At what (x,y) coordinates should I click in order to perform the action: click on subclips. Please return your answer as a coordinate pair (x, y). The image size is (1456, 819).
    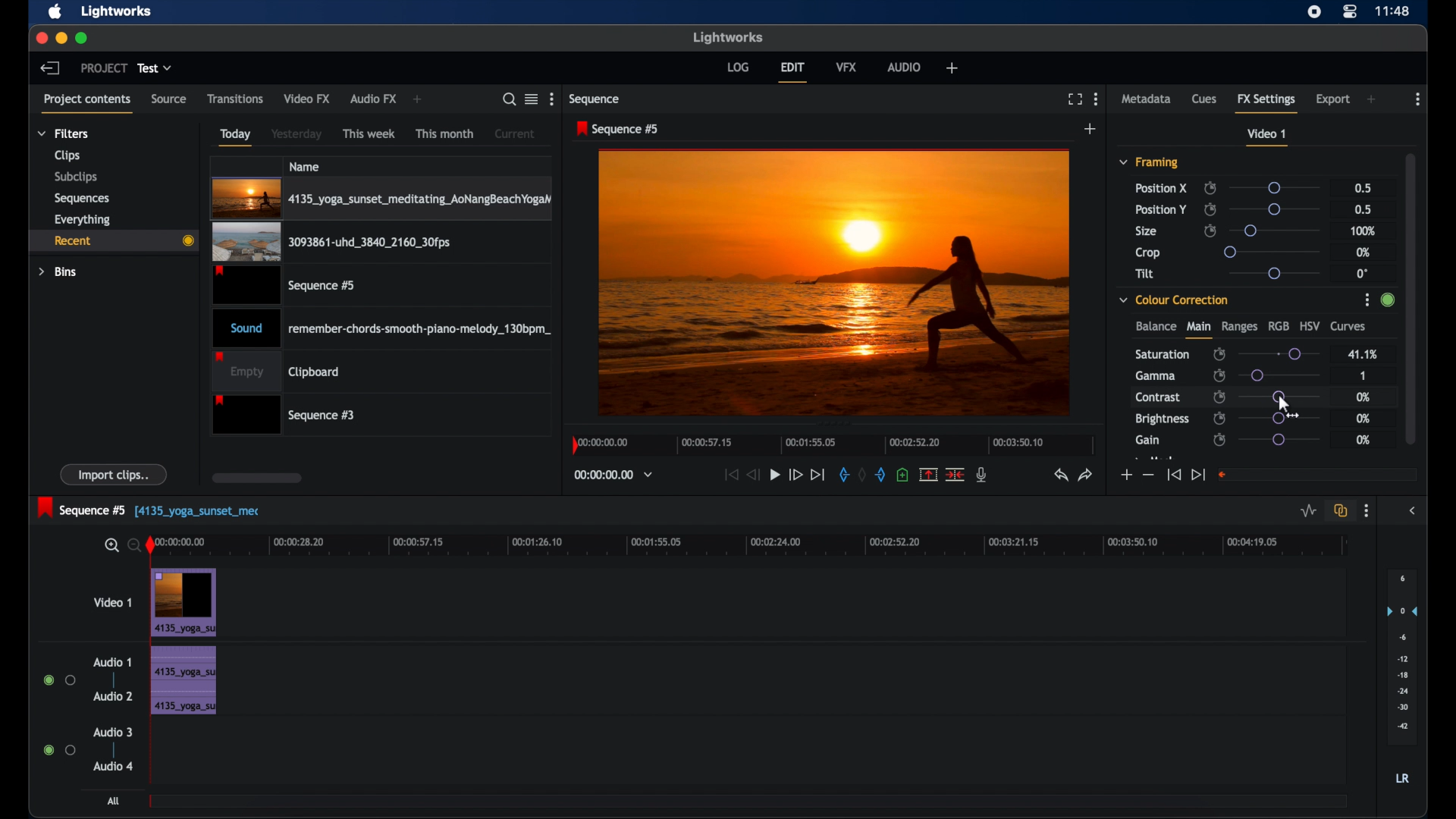
    Looking at the image, I should click on (74, 178).